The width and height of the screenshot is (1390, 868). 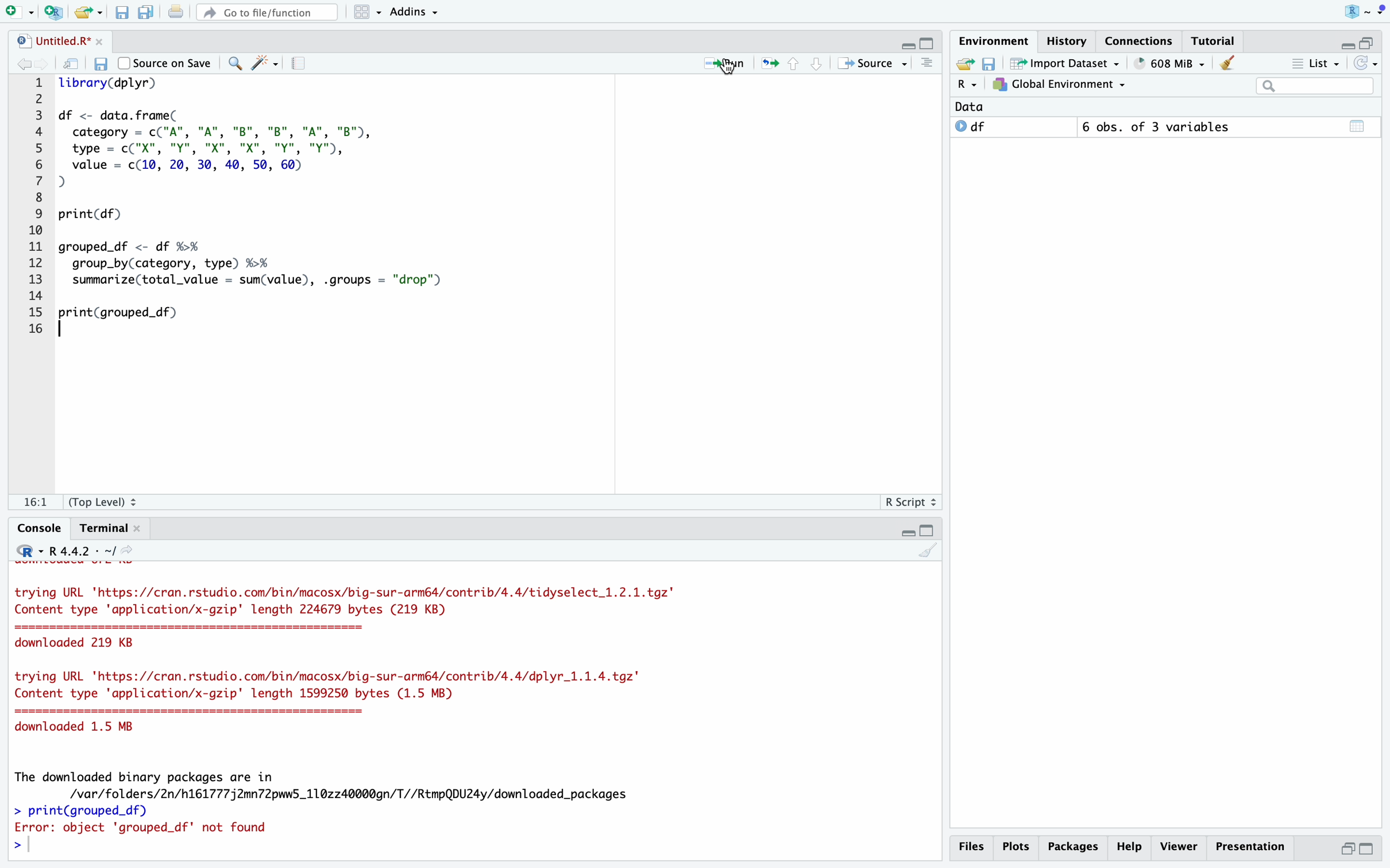 What do you see at coordinates (1013, 127) in the screenshot?
I see `O df` at bounding box center [1013, 127].